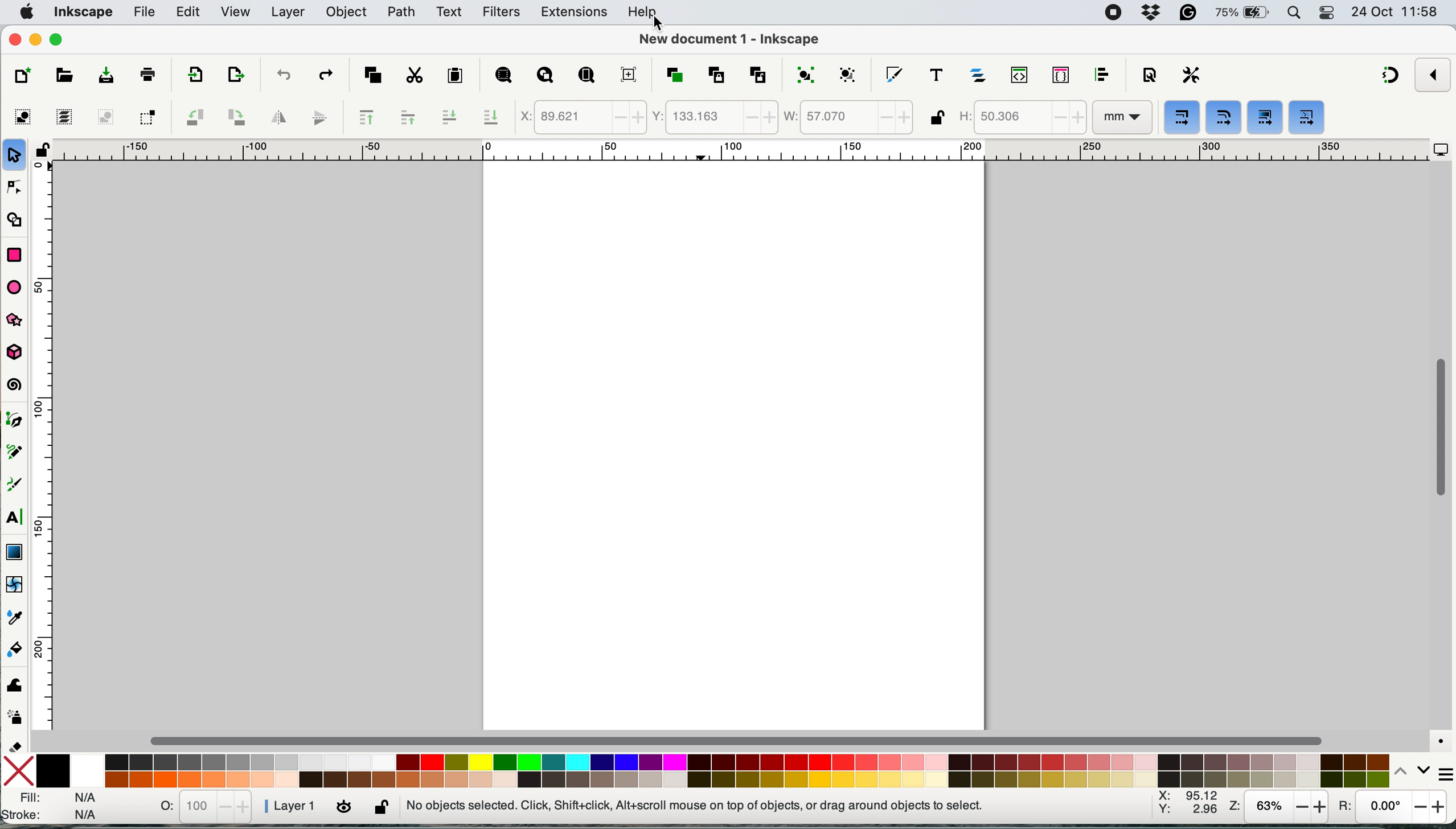 The image size is (1456, 829). I want to click on when scaling rectangles scale the radii of rounded corners, so click(1225, 118).